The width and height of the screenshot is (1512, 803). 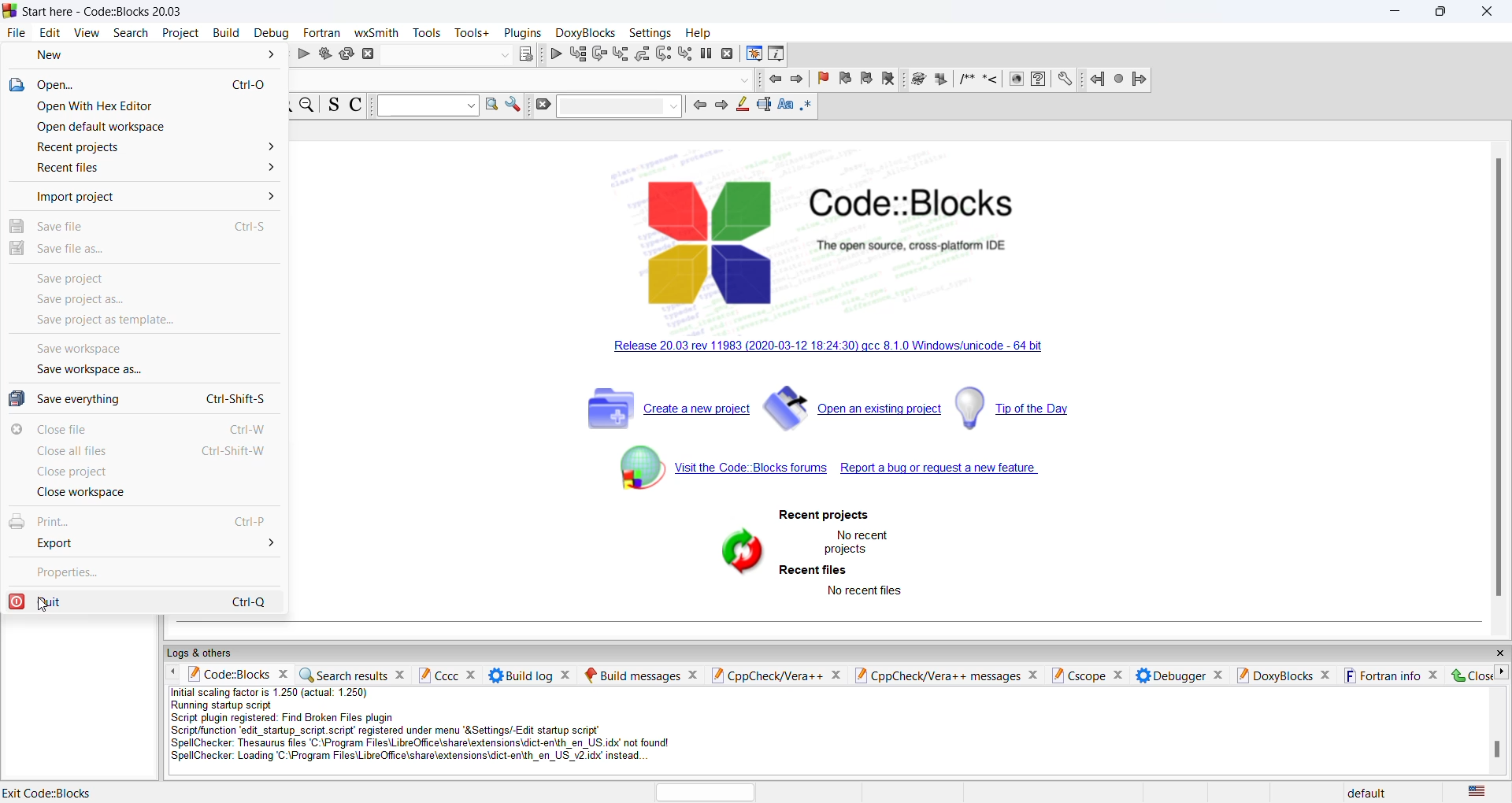 I want to click on Ctrl-P, so click(x=250, y=521).